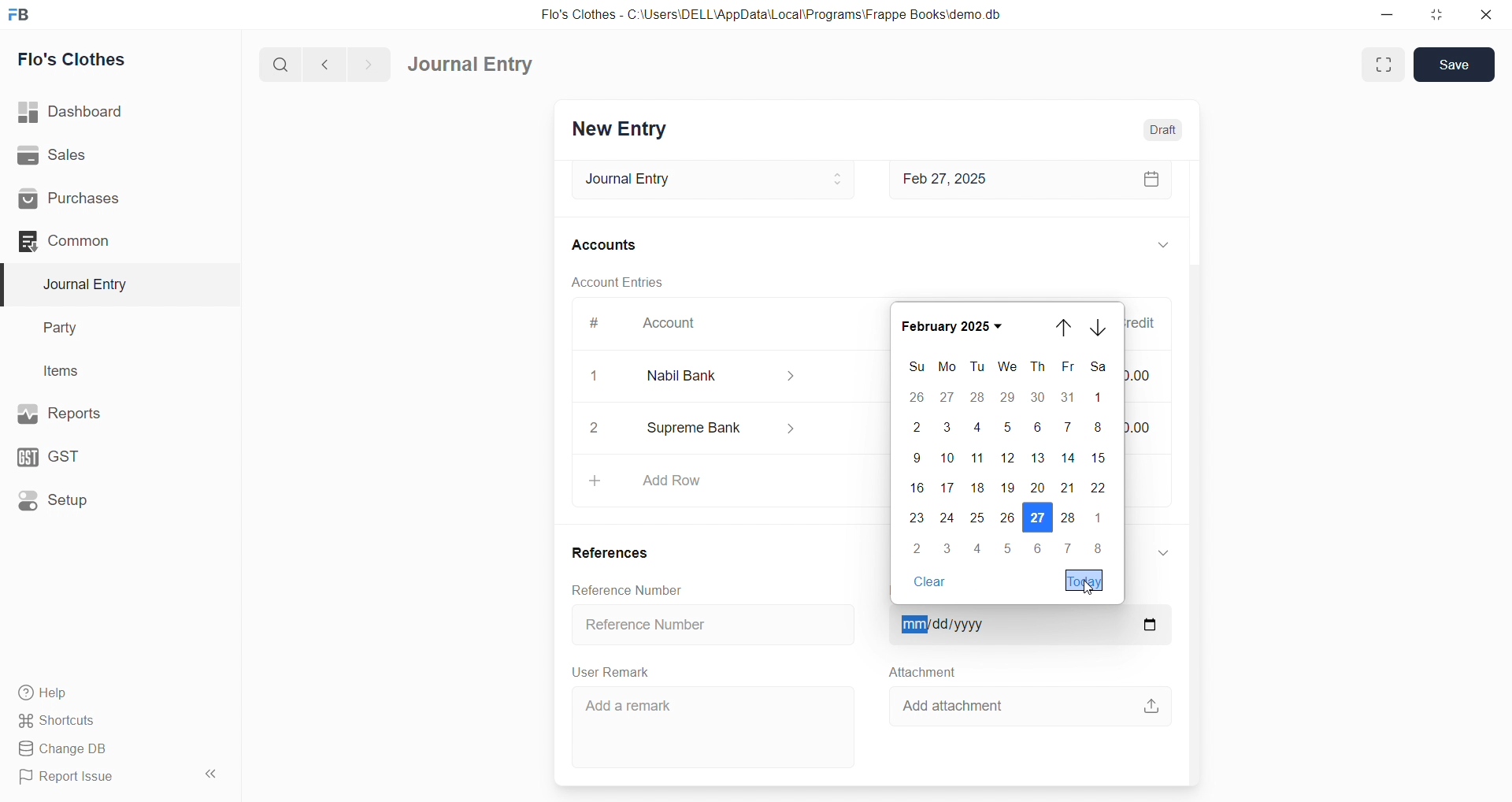 This screenshot has height=802, width=1512. What do you see at coordinates (619, 284) in the screenshot?
I see `Account Entries` at bounding box center [619, 284].